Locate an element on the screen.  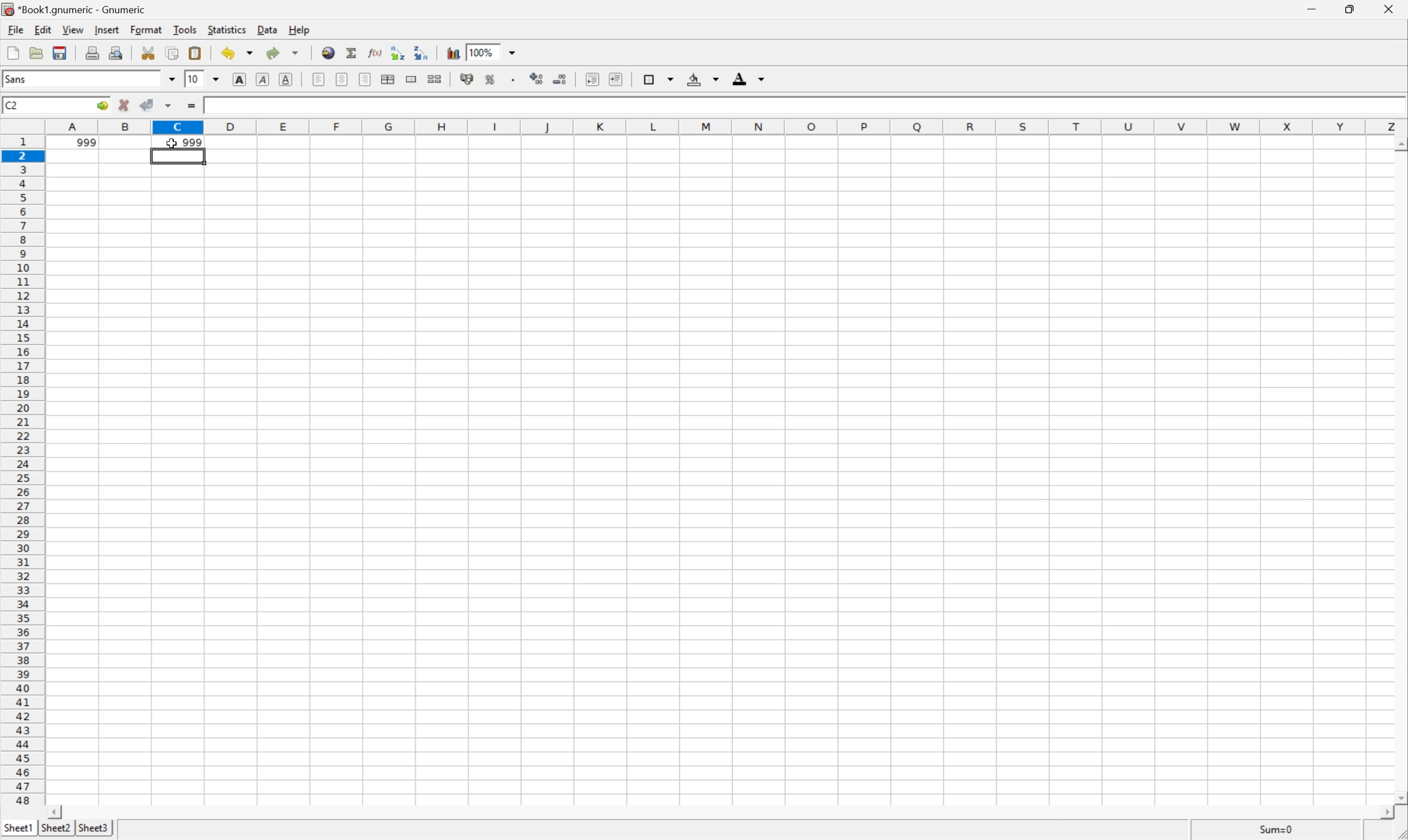
data is located at coordinates (269, 30).